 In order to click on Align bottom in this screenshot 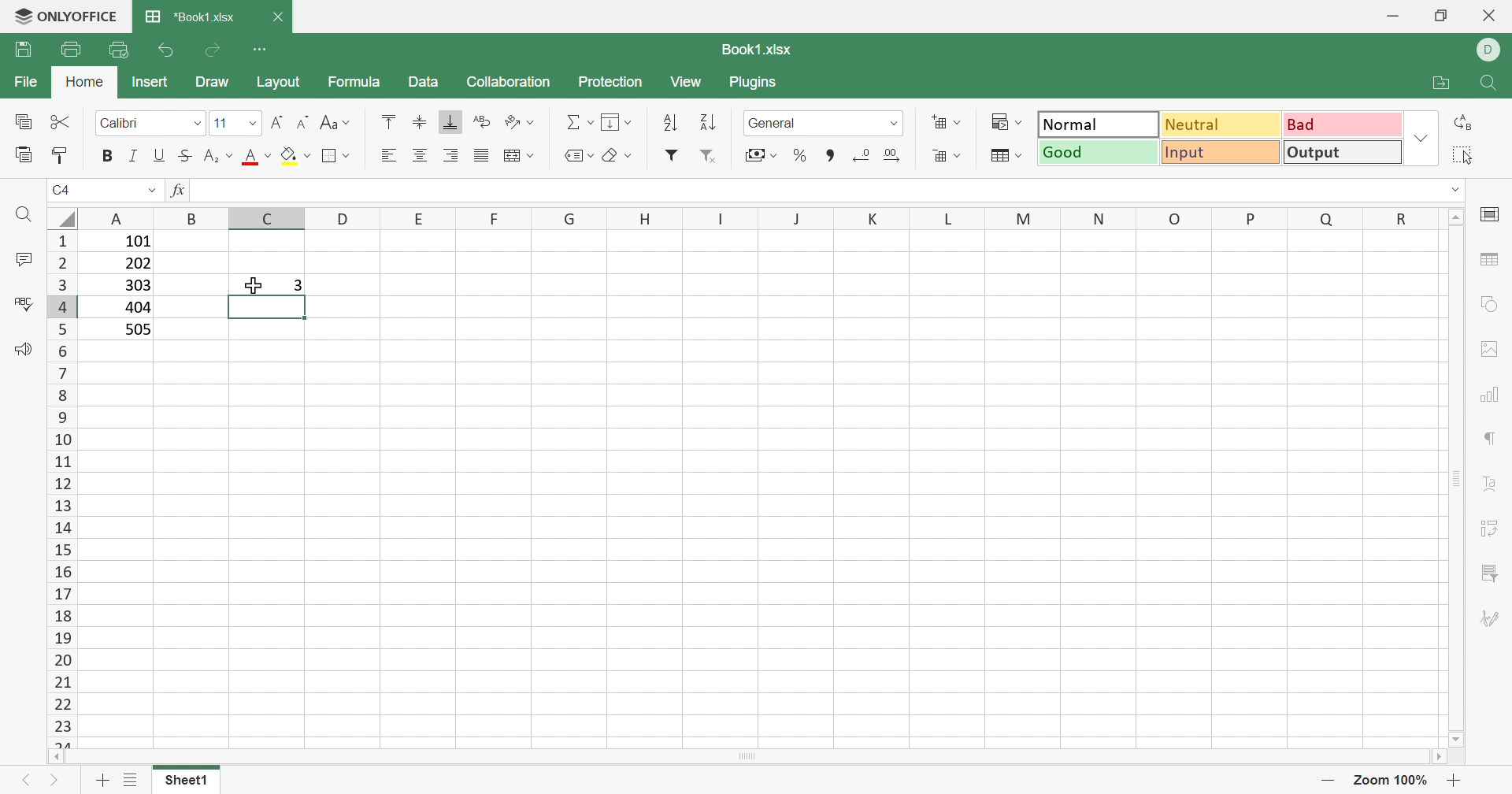, I will do `click(450, 124)`.